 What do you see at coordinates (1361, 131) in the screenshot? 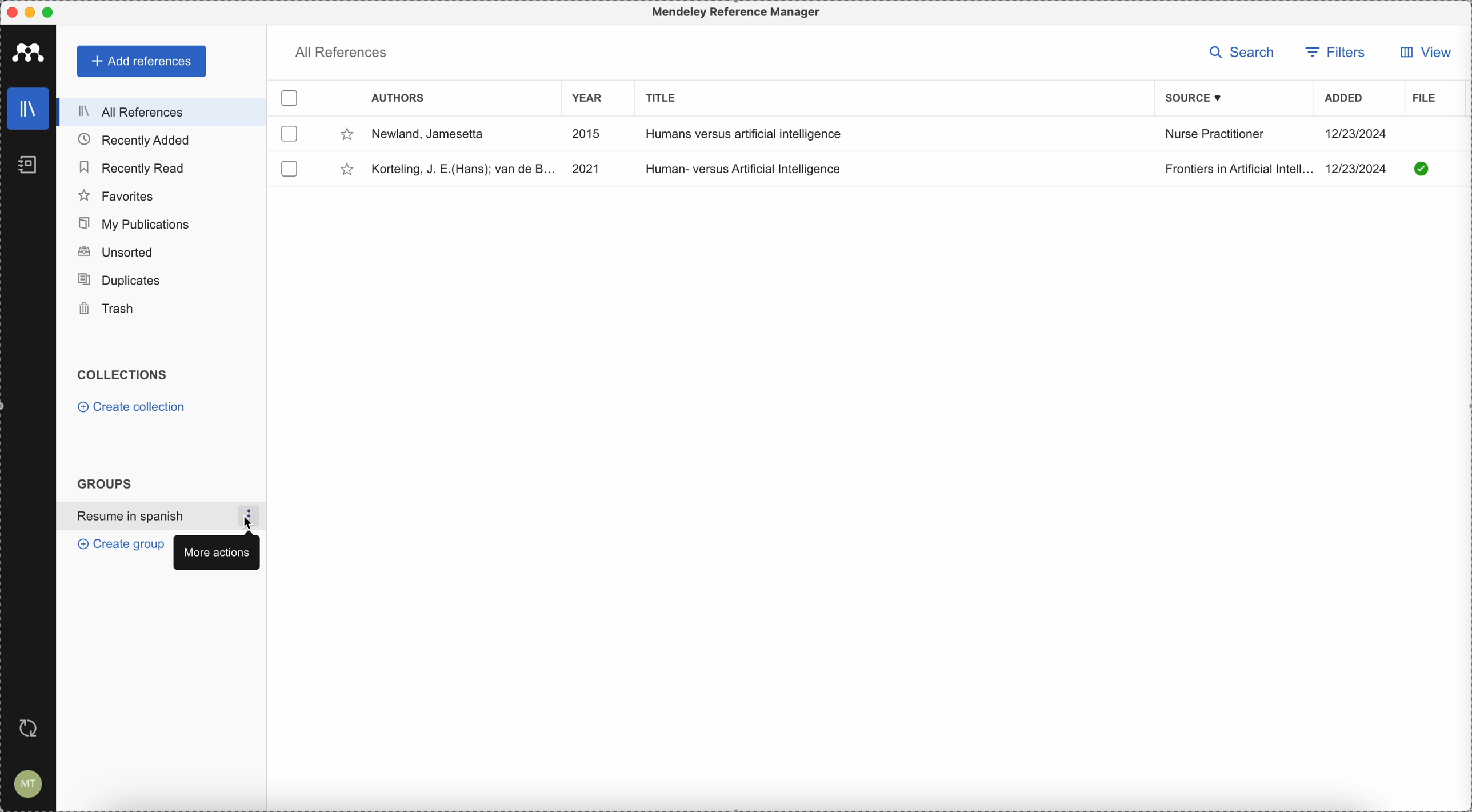
I see `12/23/2024` at bounding box center [1361, 131].